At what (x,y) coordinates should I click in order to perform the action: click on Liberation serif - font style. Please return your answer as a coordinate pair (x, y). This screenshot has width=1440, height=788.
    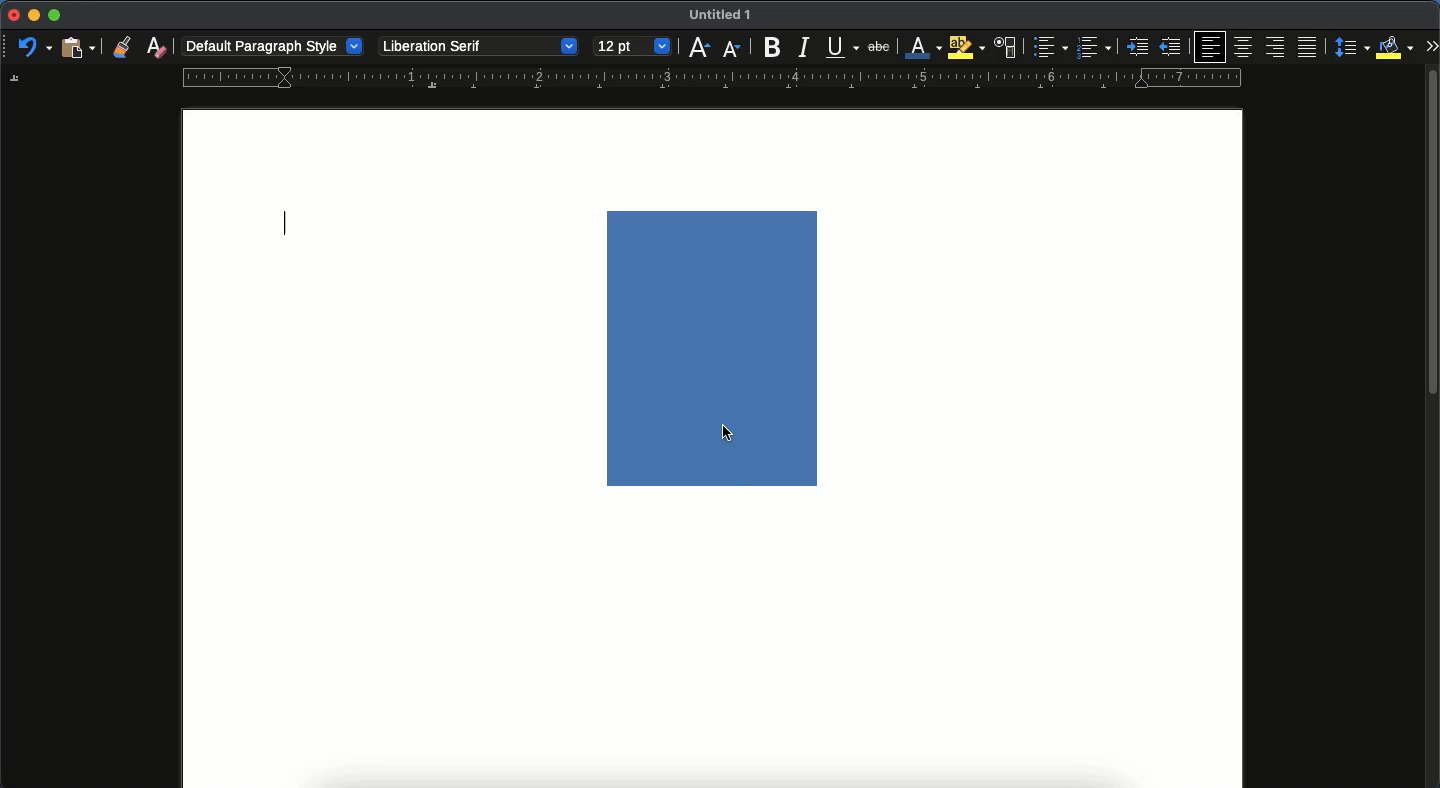
    Looking at the image, I should click on (476, 47).